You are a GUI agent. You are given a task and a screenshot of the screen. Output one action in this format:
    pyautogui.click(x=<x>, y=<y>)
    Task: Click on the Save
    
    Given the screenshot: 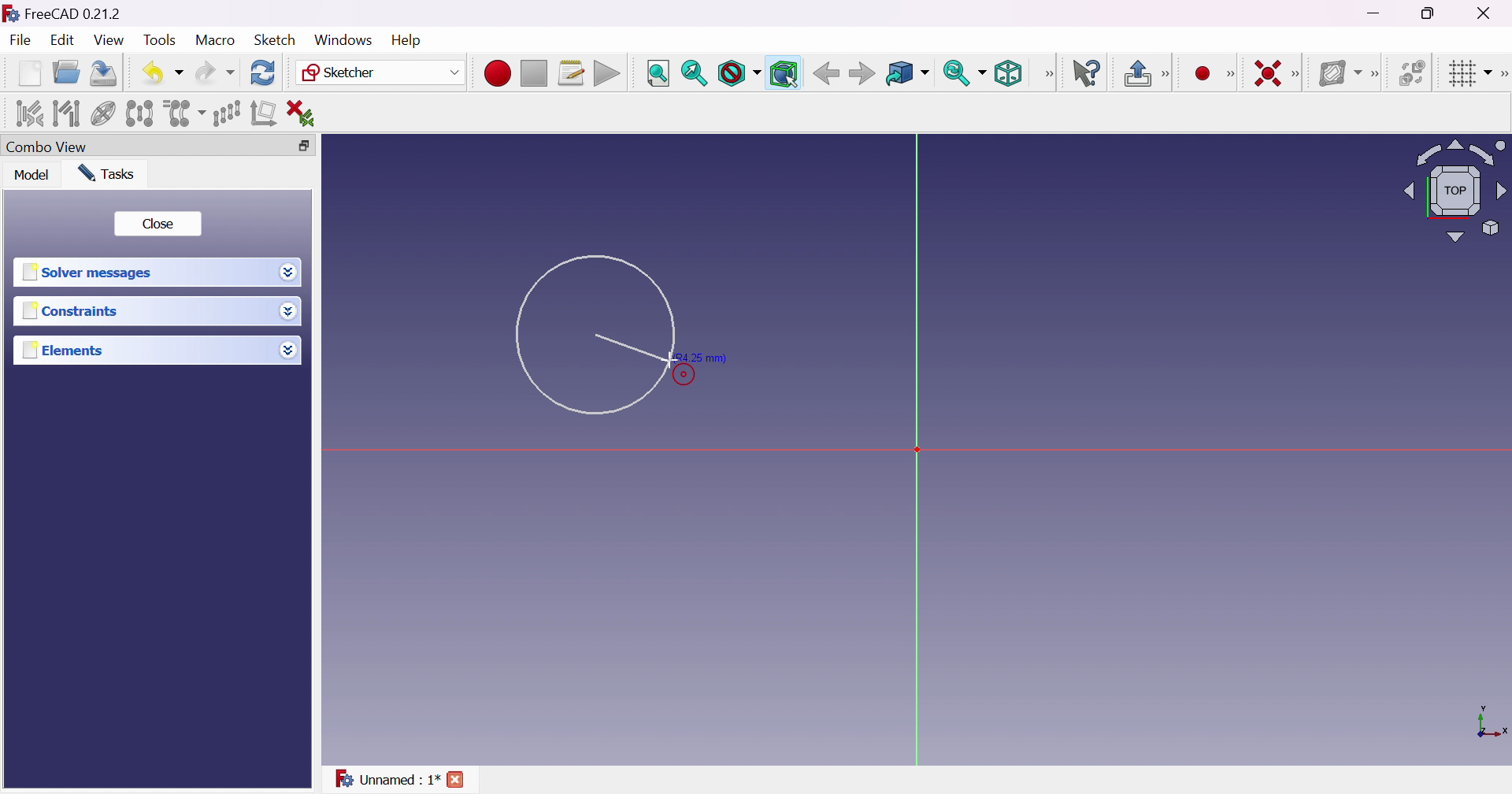 What is the action you would take?
    pyautogui.click(x=102, y=72)
    